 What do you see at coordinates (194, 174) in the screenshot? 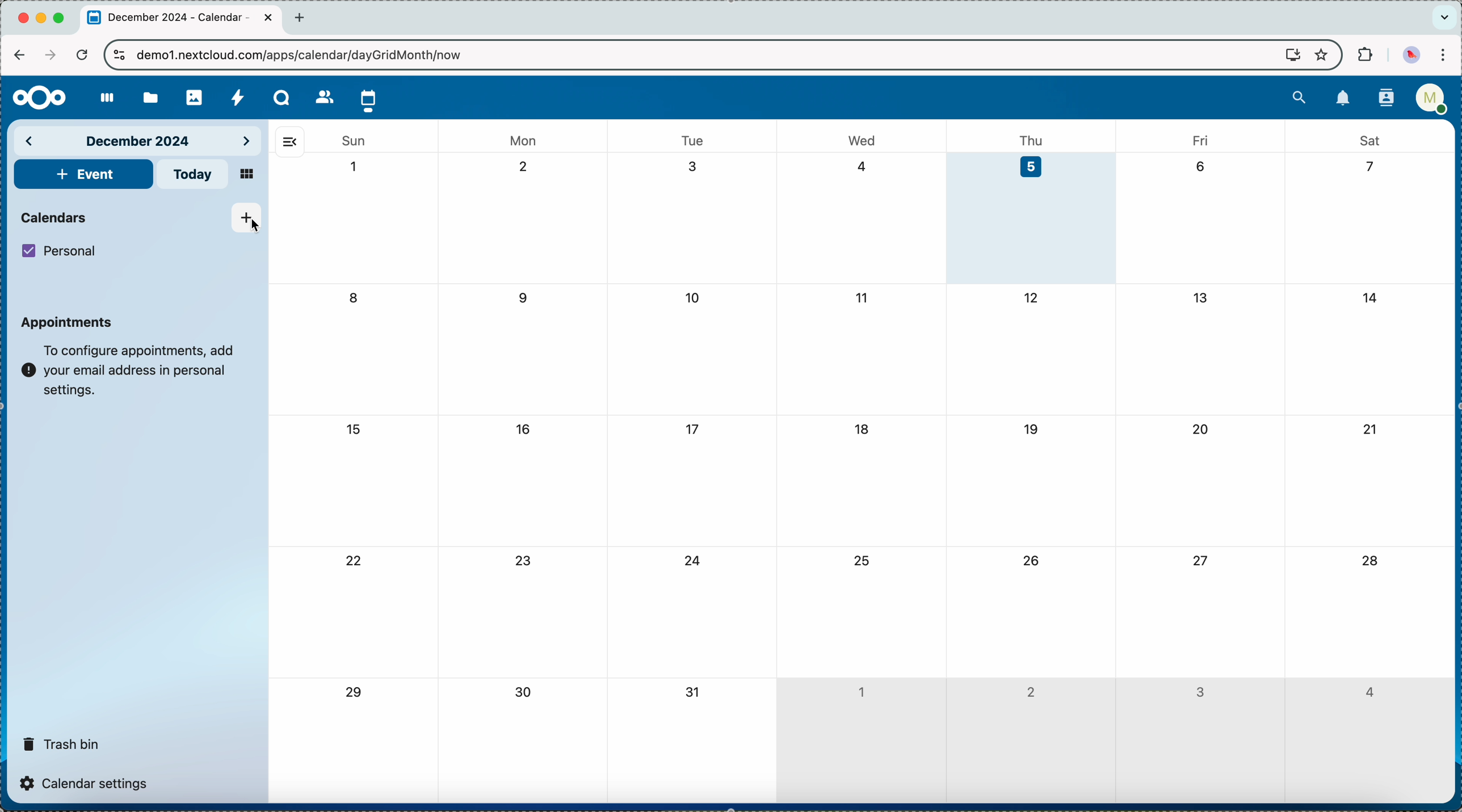
I see `today` at bounding box center [194, 174].